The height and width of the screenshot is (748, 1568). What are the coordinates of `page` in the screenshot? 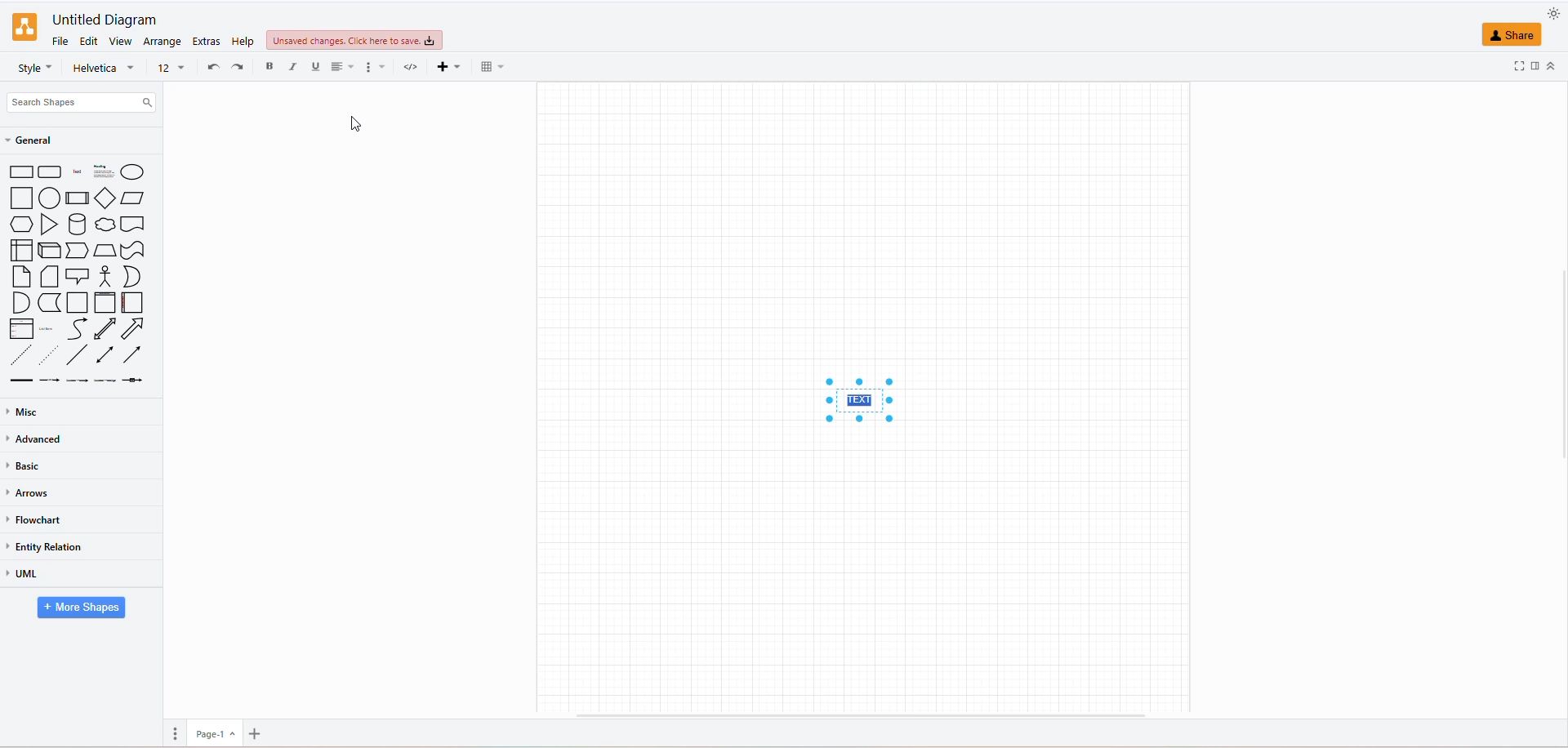 It's located at (177, 733).